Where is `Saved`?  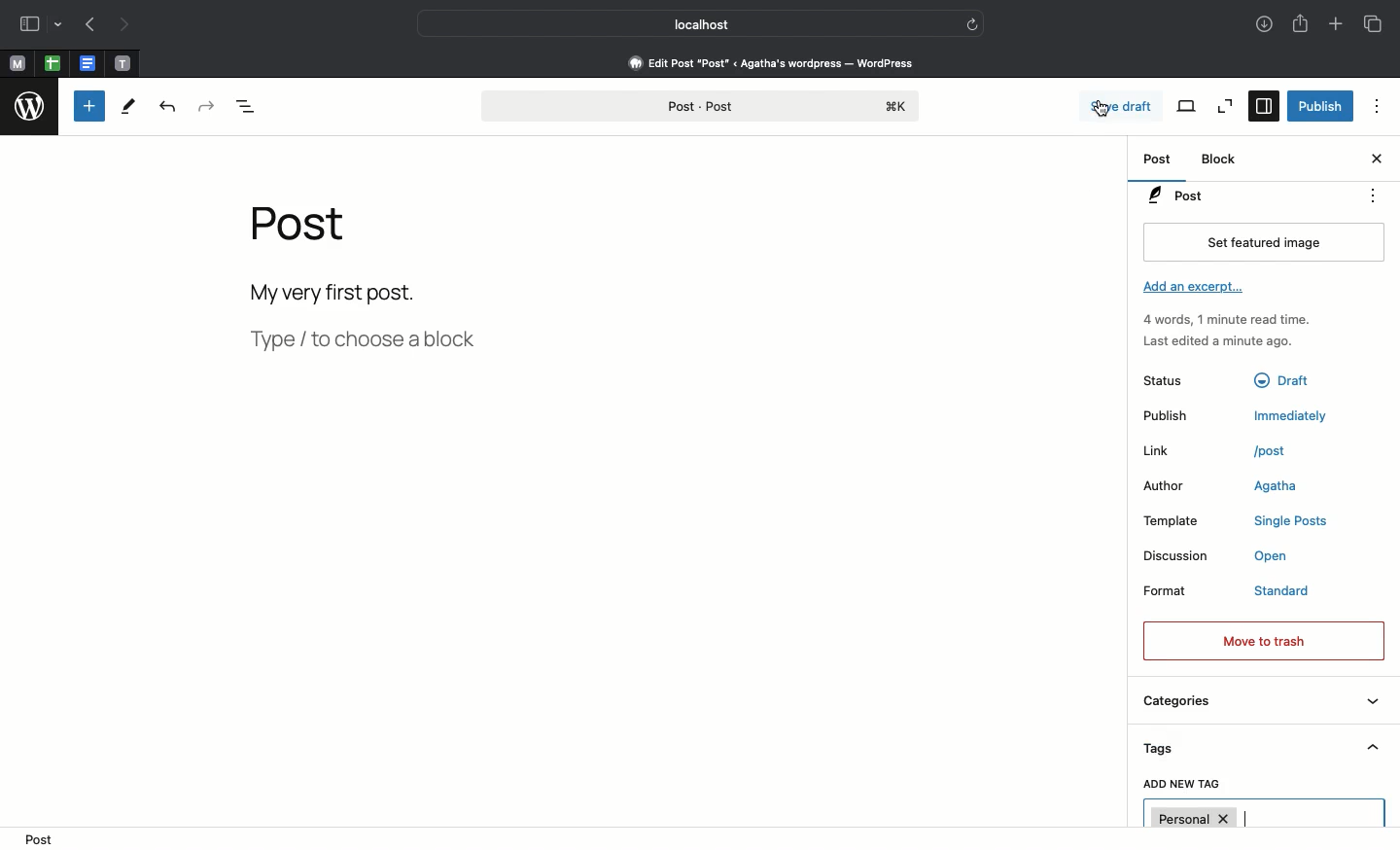
Saved is located at coordinates (1139, 107).